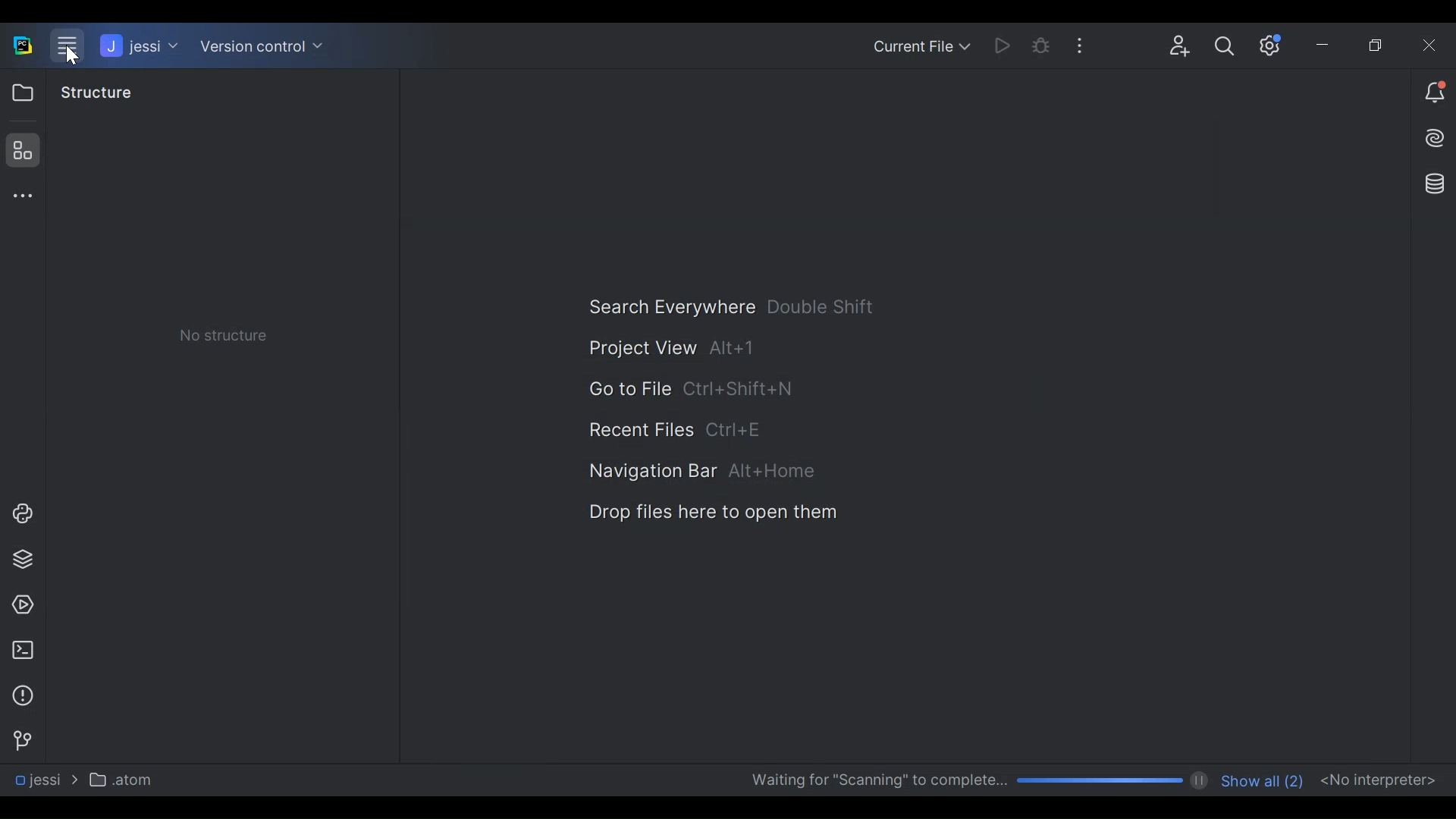 This screenshot has width=1456, height=819. I want to click on Bug, so click(1040, 47).